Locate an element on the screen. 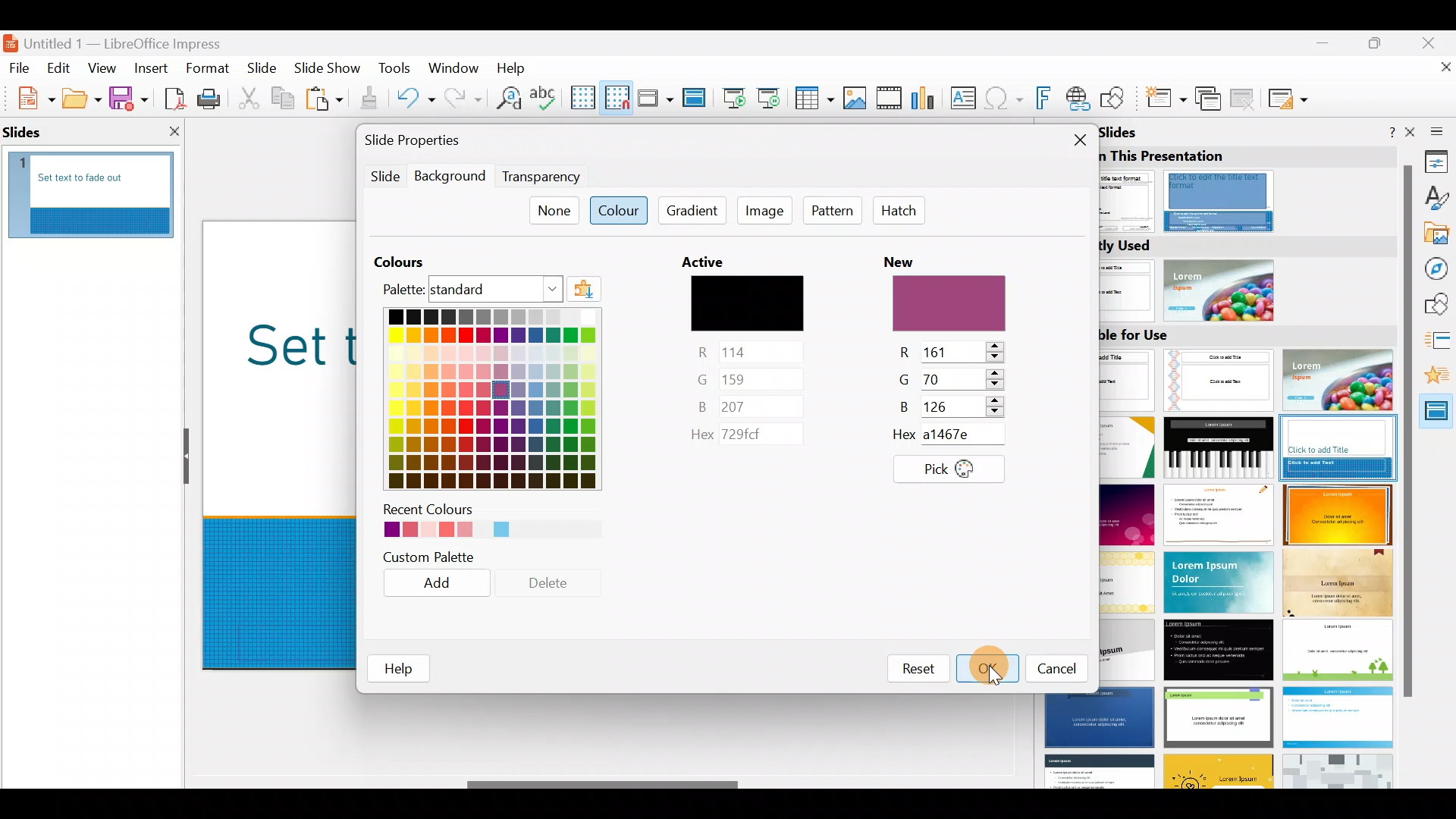 This screenshot has width=1456, height=819. Add is located at coordinates (444, 588).